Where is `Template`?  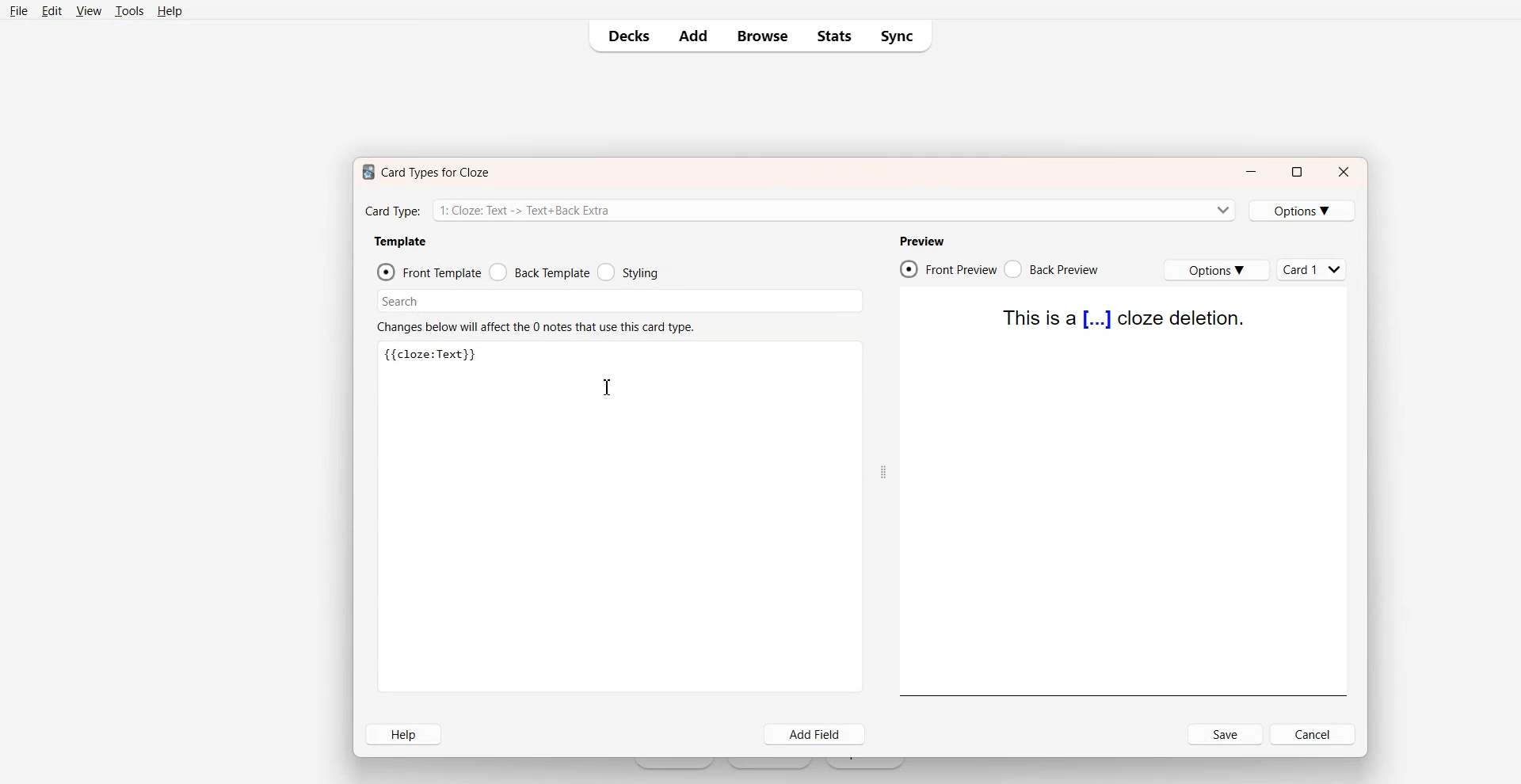
Template is located at coordinates (400, 242).